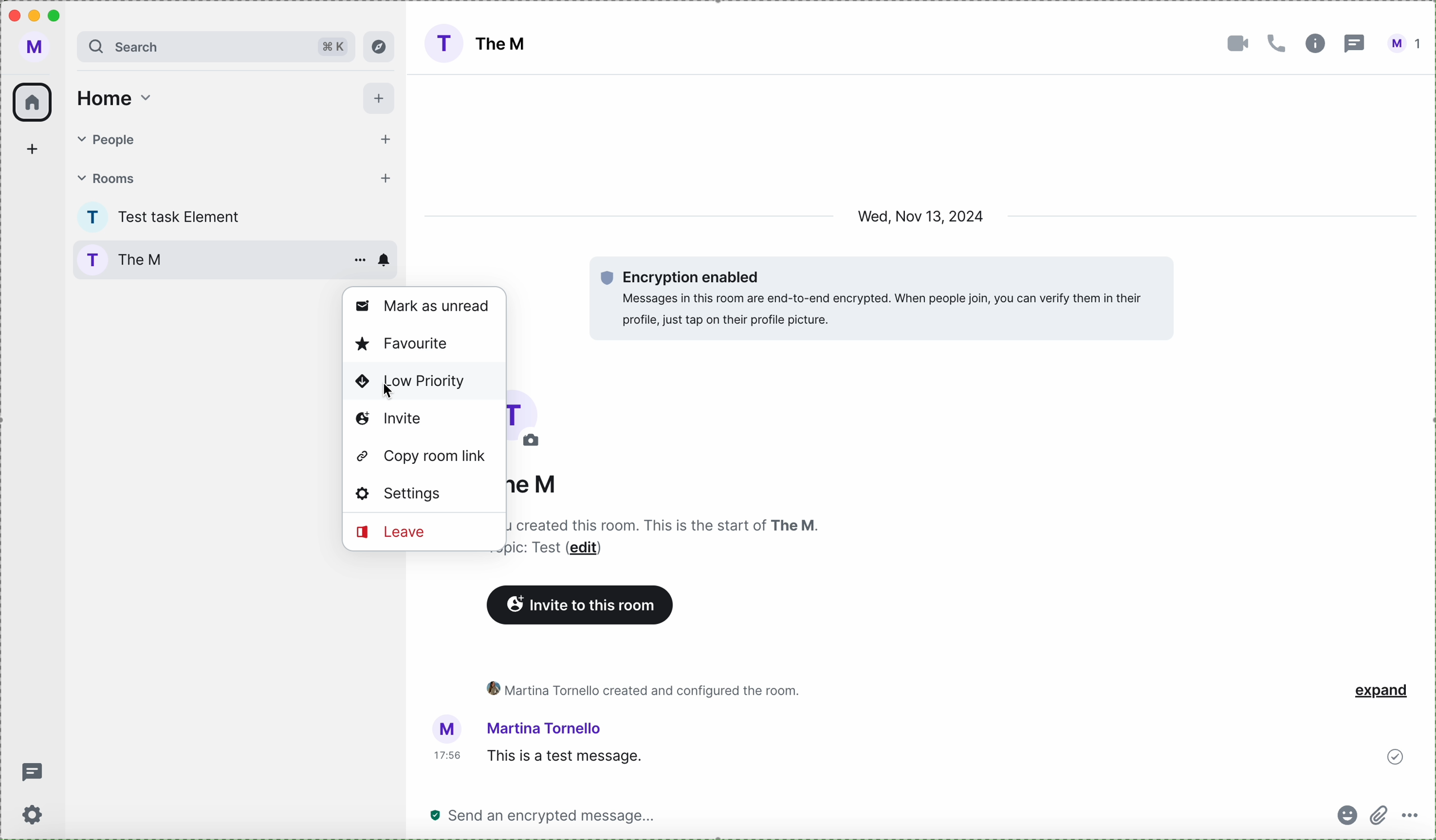  I want to click on add, so click(386, 142).